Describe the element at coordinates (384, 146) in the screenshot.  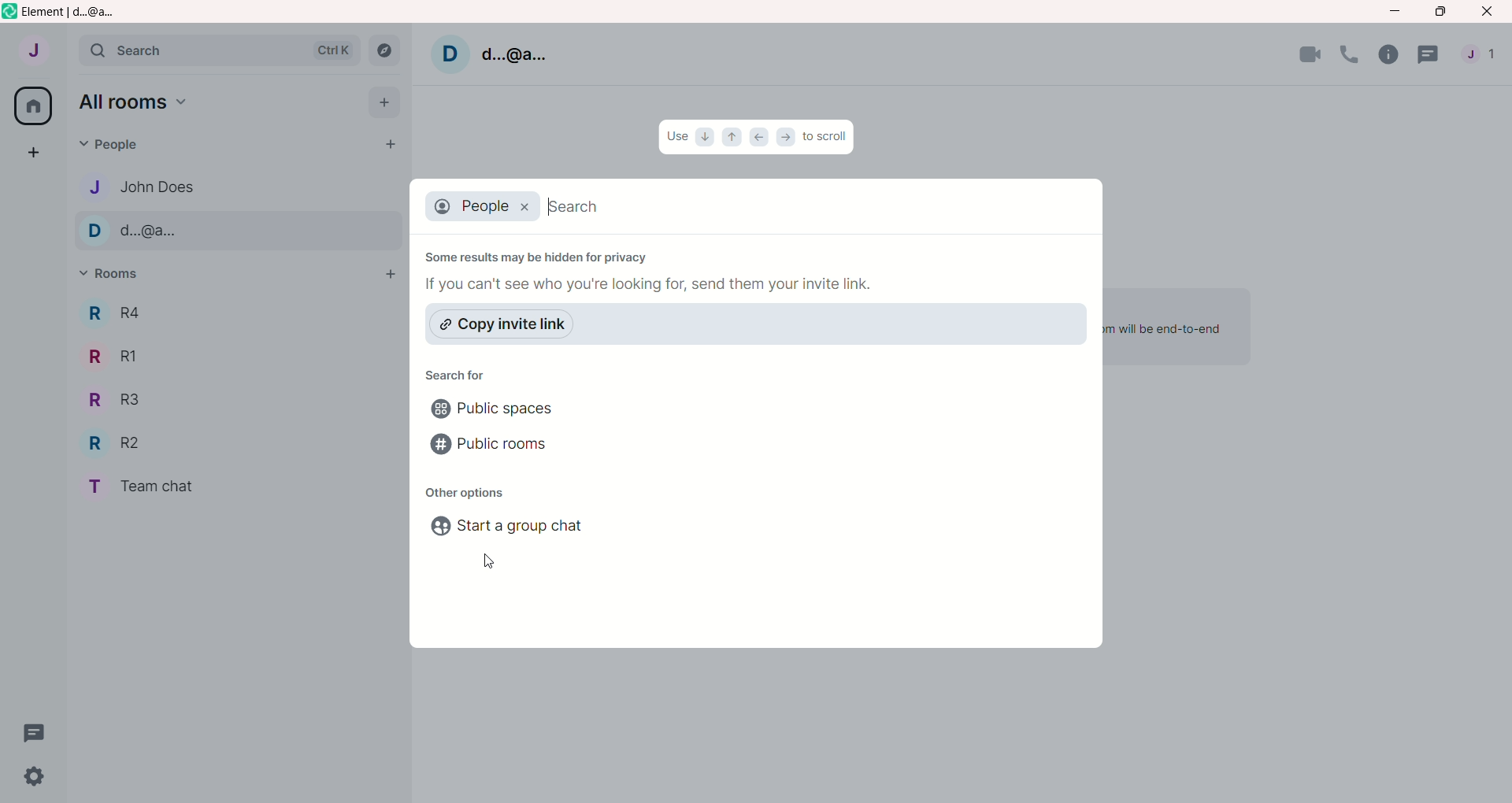
I see `start chat` at that location.